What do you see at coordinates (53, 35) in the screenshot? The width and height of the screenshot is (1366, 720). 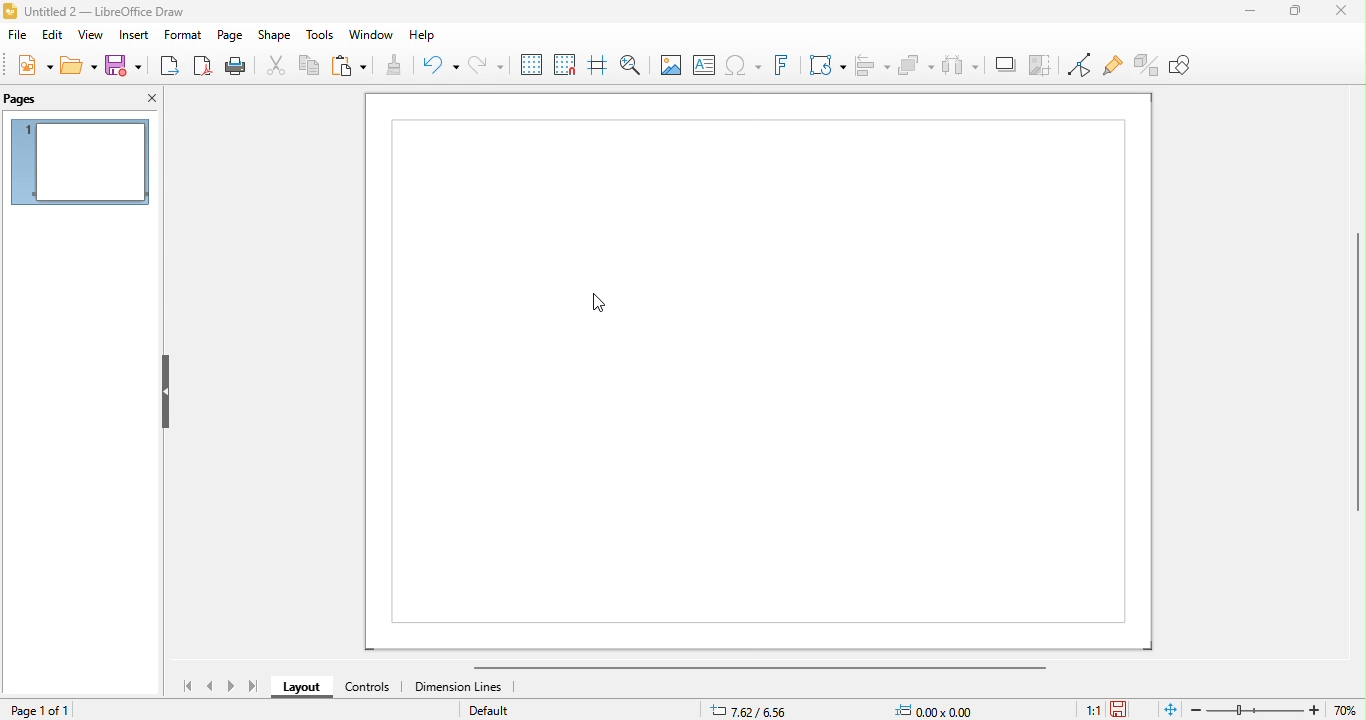 I see `edit` at bounding box center [53, 35].